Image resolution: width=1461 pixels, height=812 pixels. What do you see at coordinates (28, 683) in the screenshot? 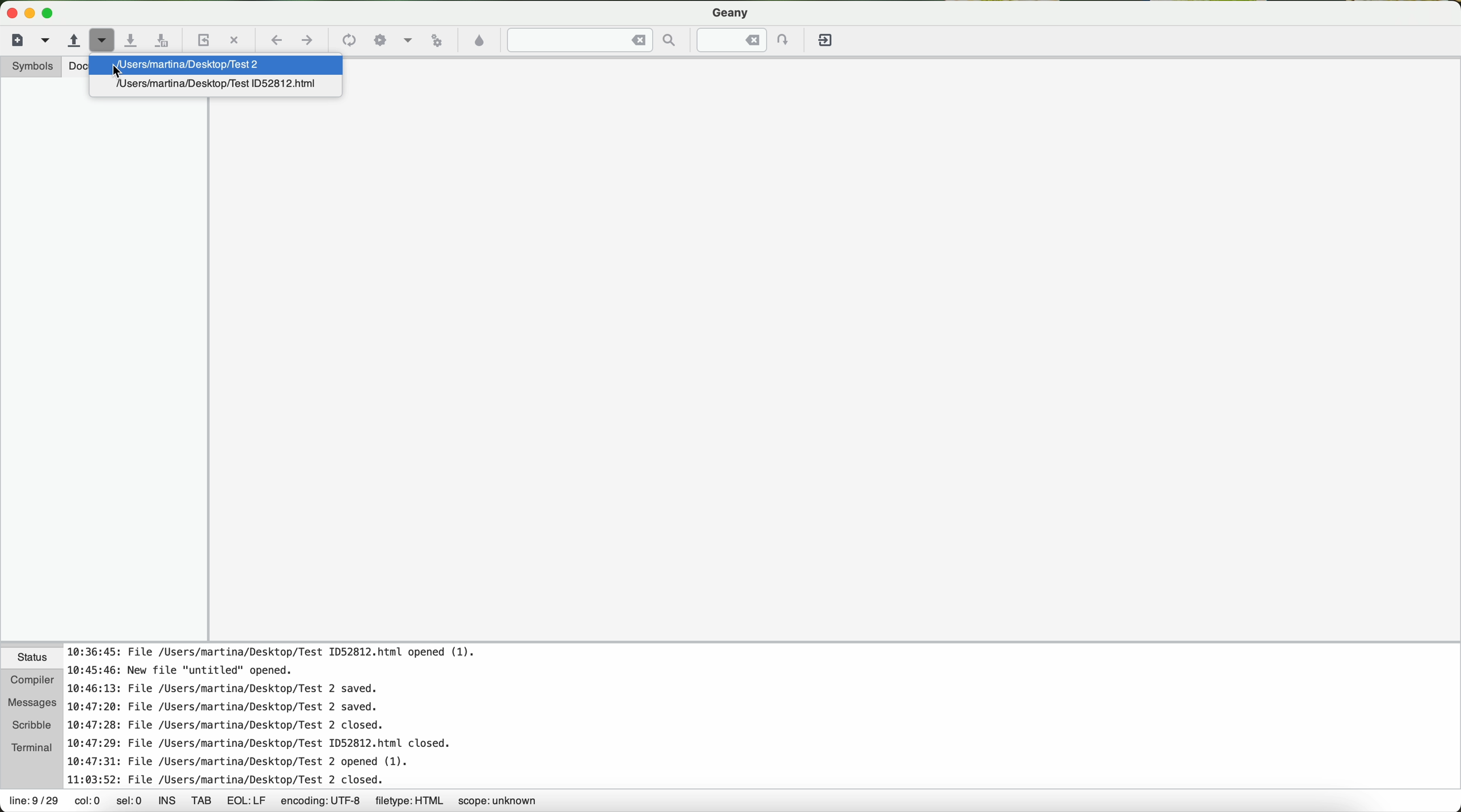
I see `compiler` at bounding box center [28, 683].